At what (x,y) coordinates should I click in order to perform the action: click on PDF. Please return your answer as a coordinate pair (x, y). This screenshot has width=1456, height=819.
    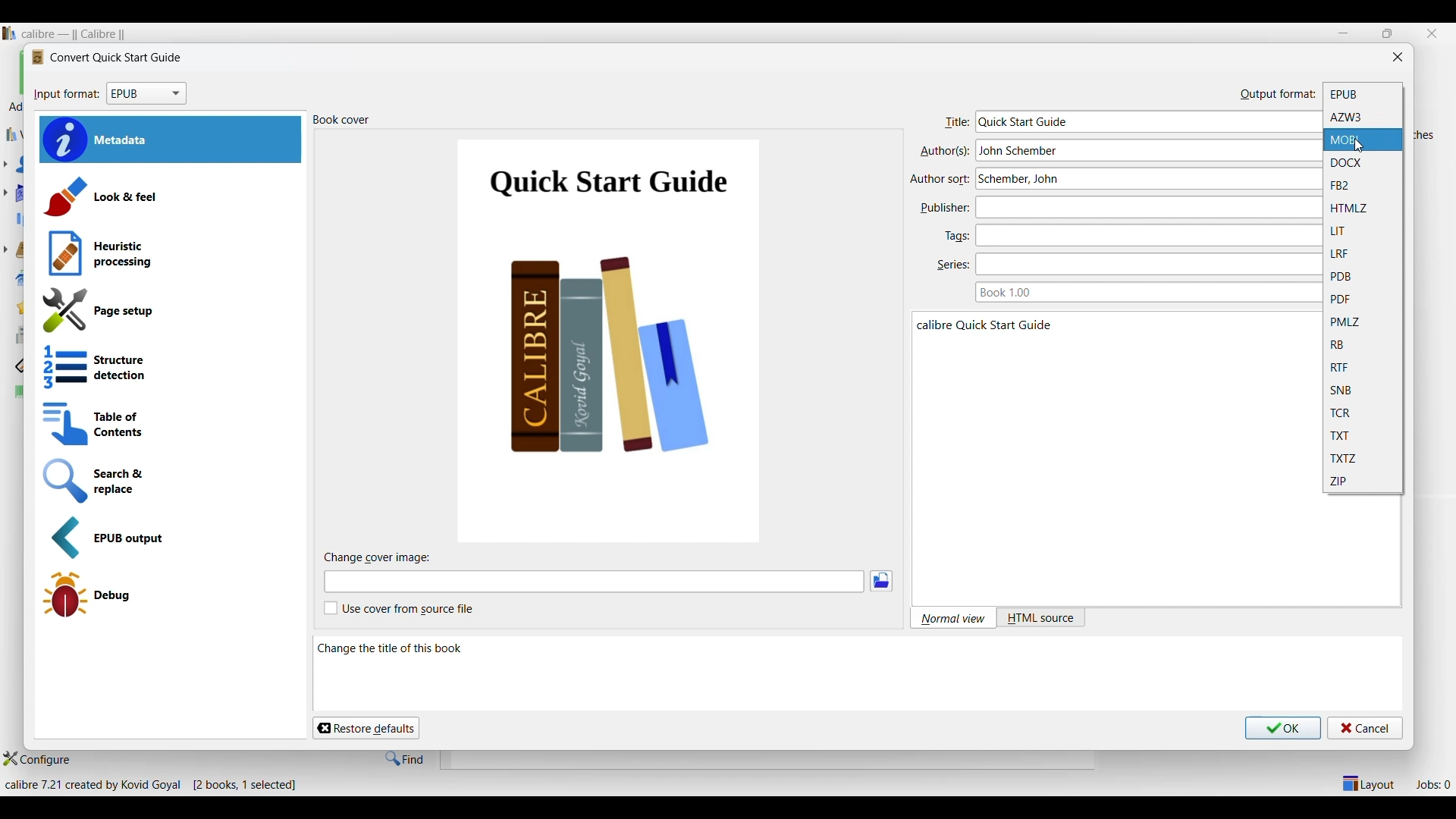
    Looking at the image, I should click on (1363, 300).